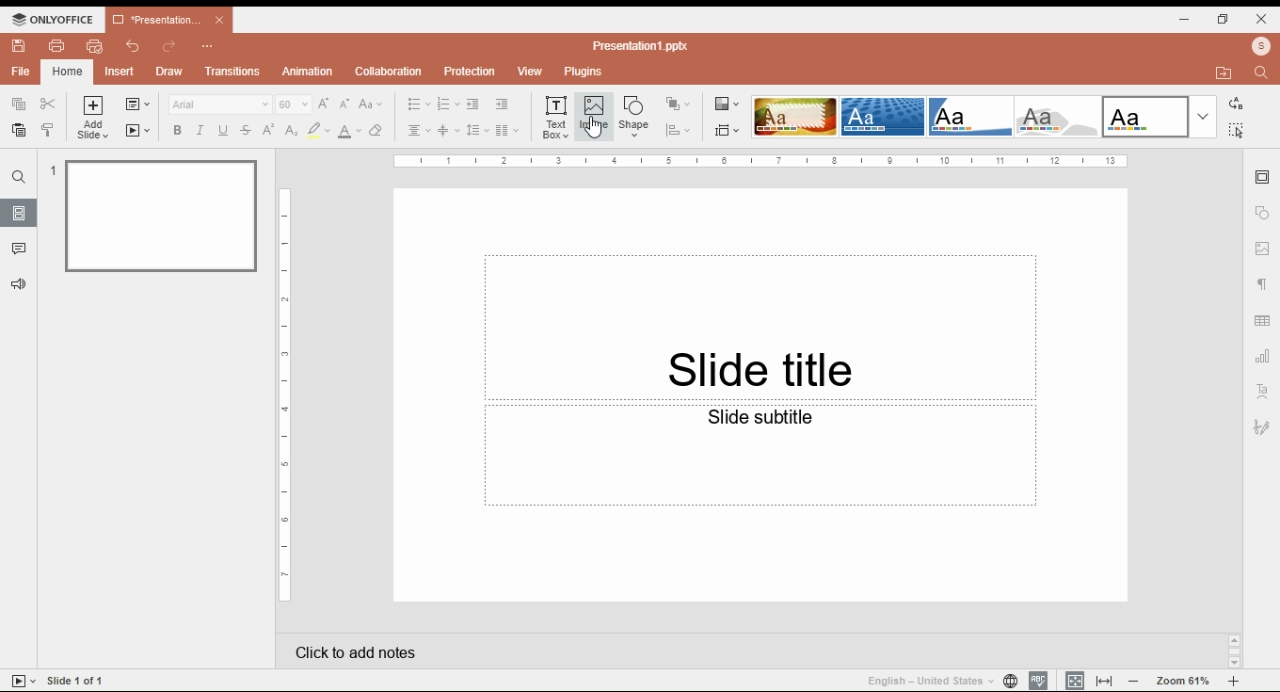 The image size is (1280, 692). What do you see at coordinates (1056, 117) in the screenshot?
I see `theme 4` at bounding box center [1056, 117].